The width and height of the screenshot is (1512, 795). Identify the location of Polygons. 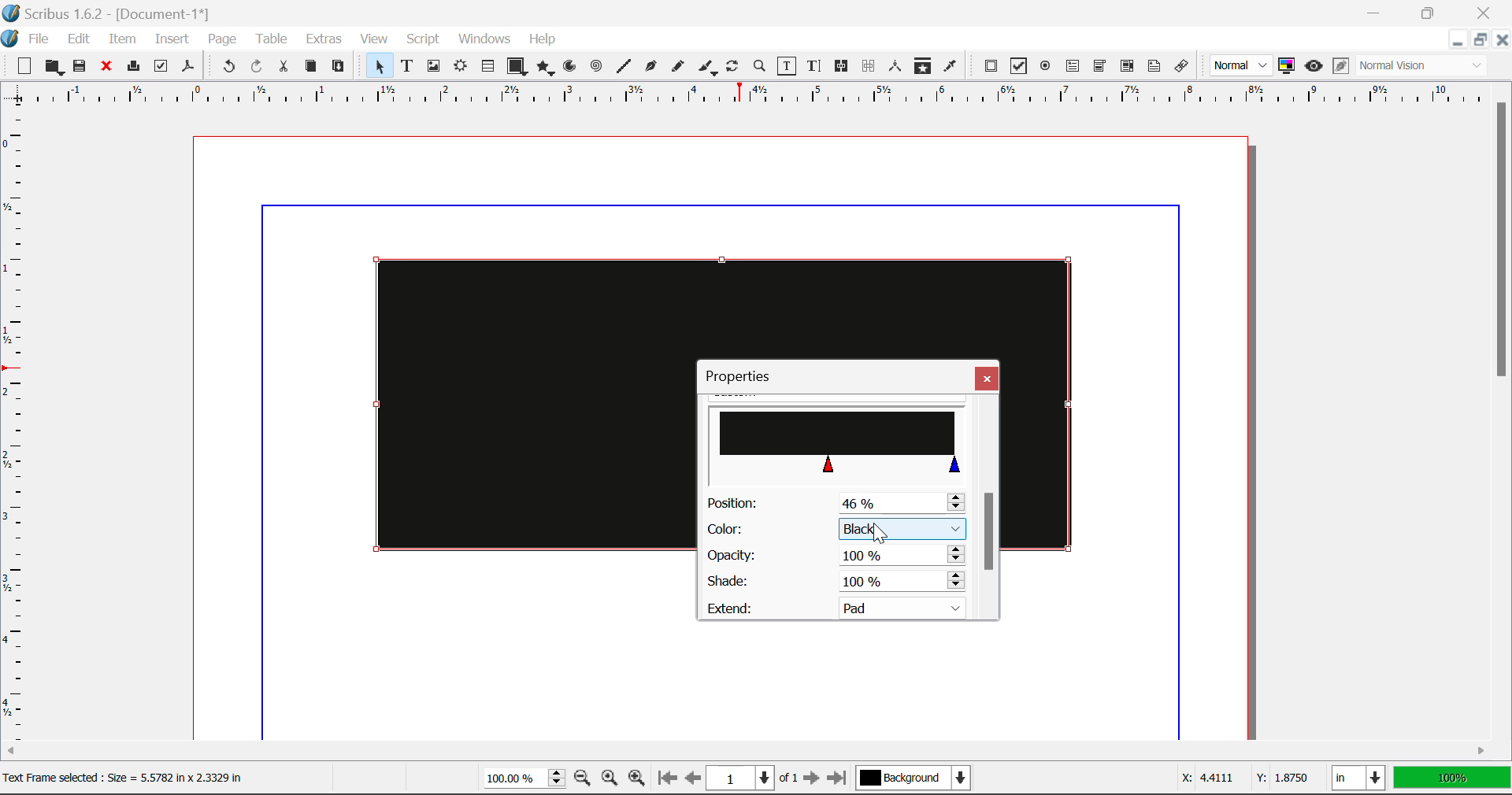
(545, 69).